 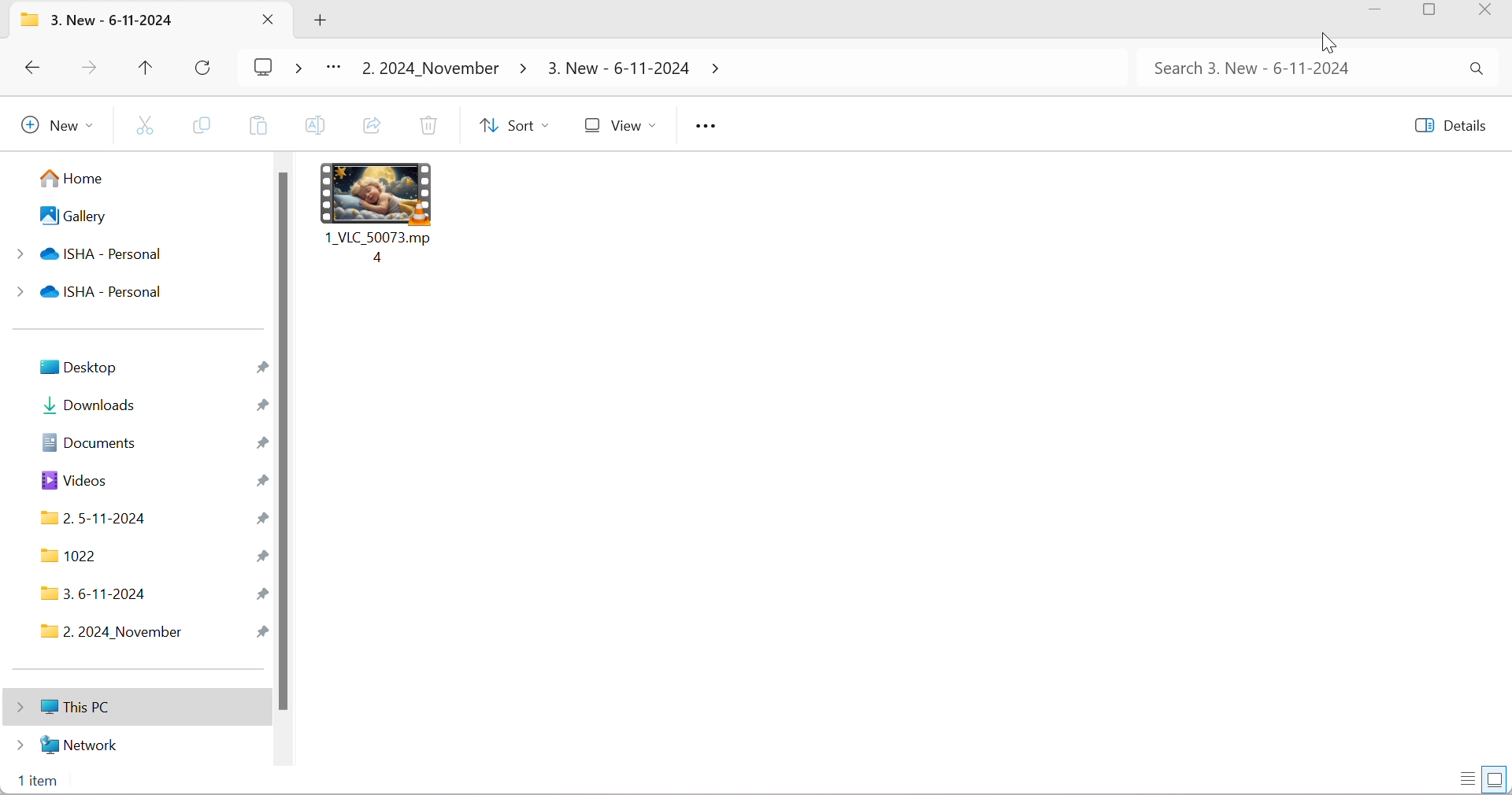 What do you see at coordinates (69, 183) in the screenshot?
I see `Home` at bounding box center [69, 183].